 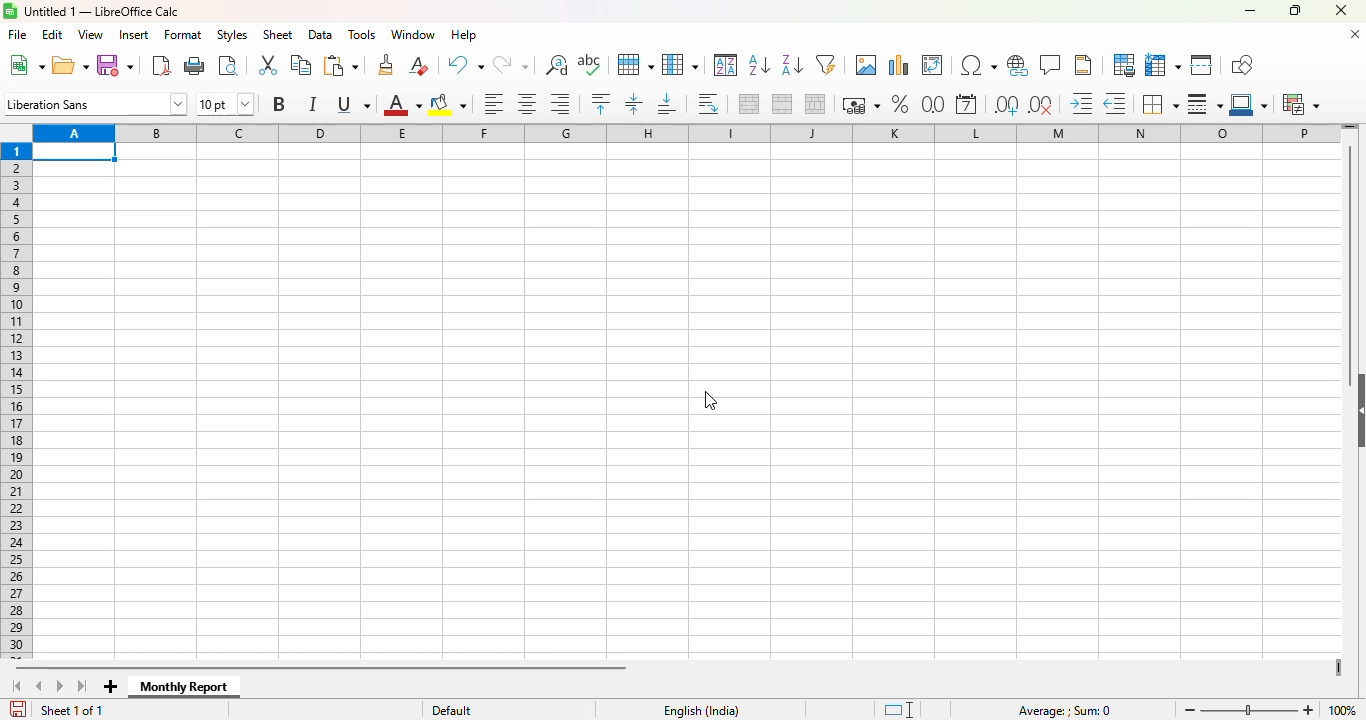 What do you see at coordinates (933, 103) in the screenshot?
I see `format as number` at bounding box center [933, 103].